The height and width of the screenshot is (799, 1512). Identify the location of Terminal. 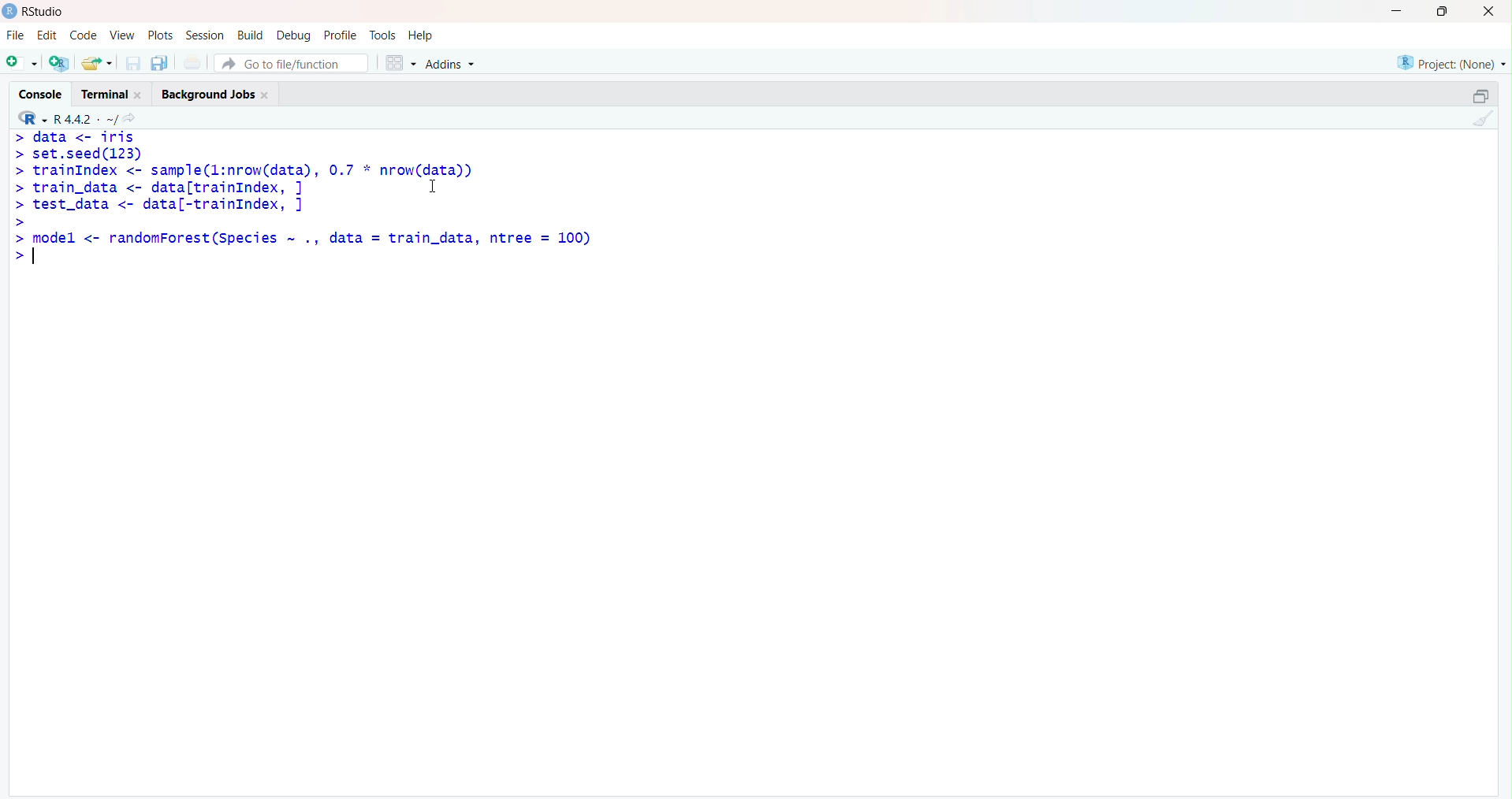
(110, 91).